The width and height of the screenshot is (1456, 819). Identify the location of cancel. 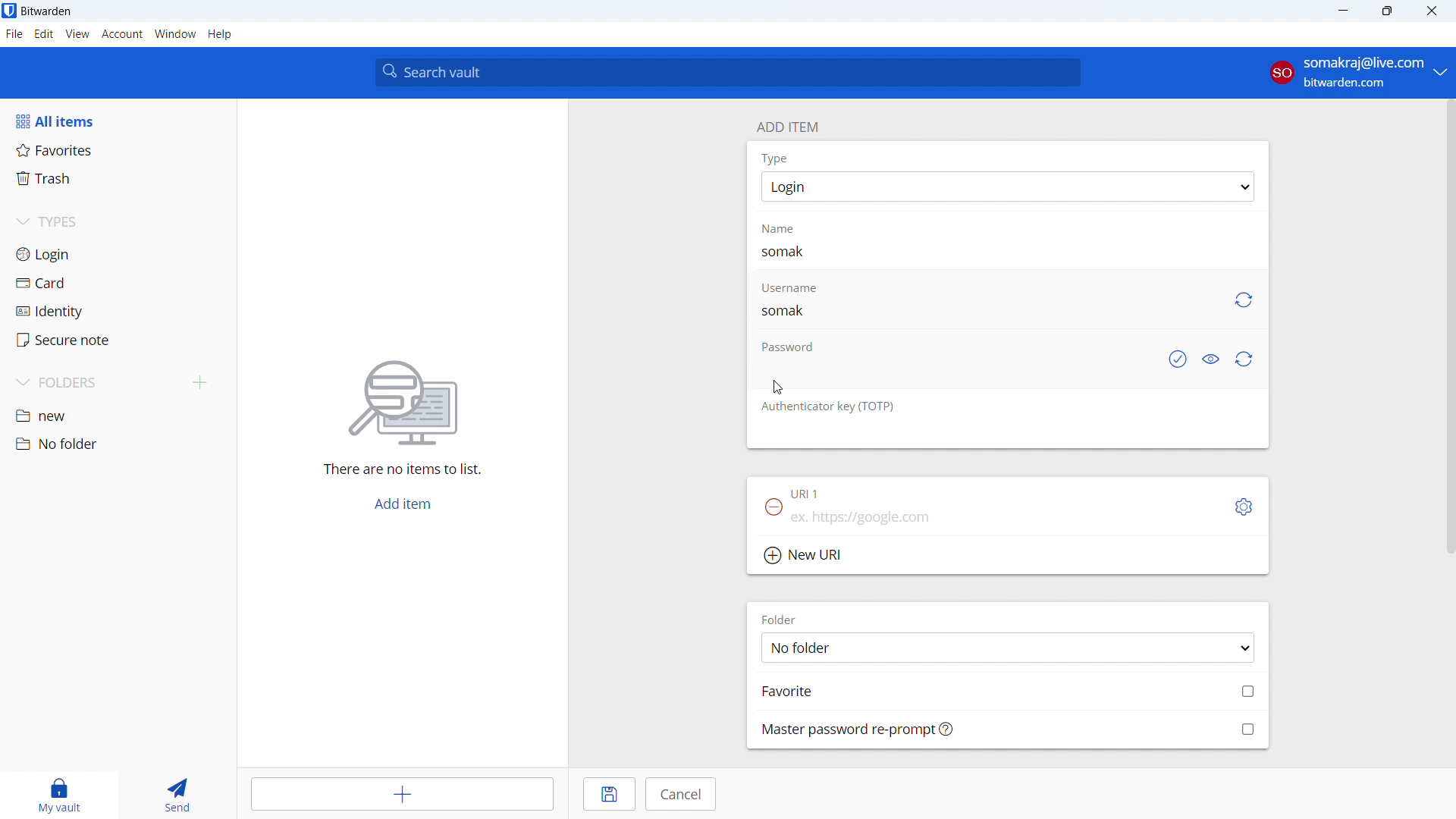
(680, 794).